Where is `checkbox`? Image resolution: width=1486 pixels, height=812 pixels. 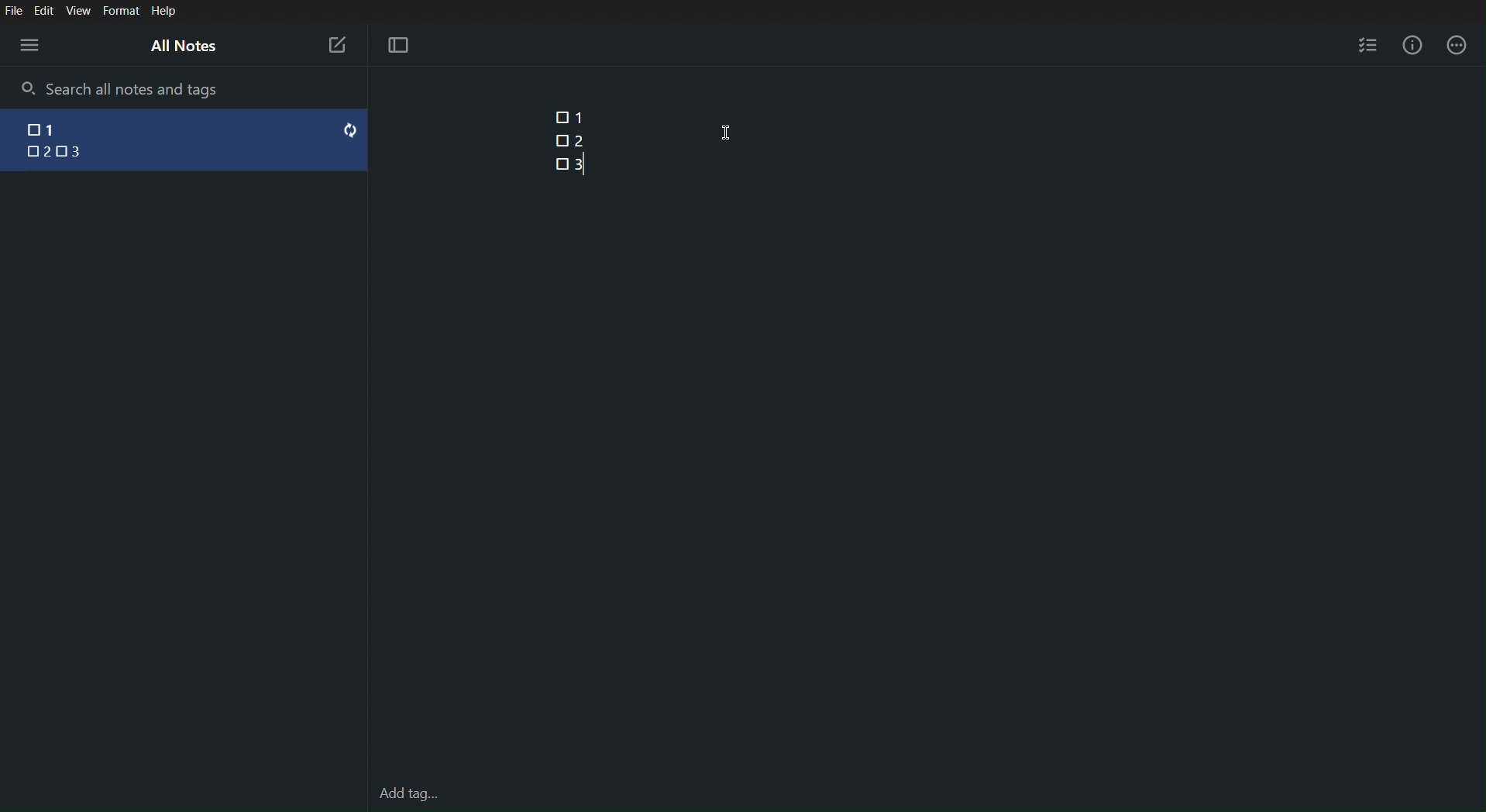 checkbox is located at coordinates (26, 151).